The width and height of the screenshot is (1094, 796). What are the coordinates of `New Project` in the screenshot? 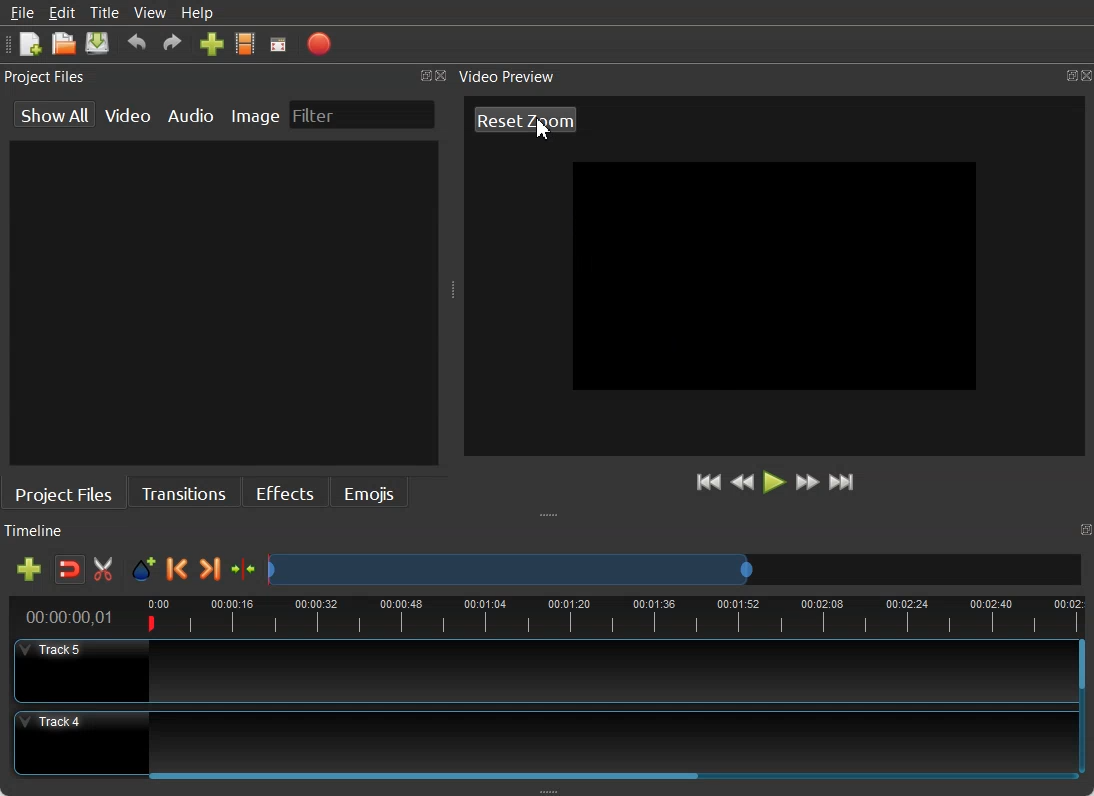 It's located at (29, 45).